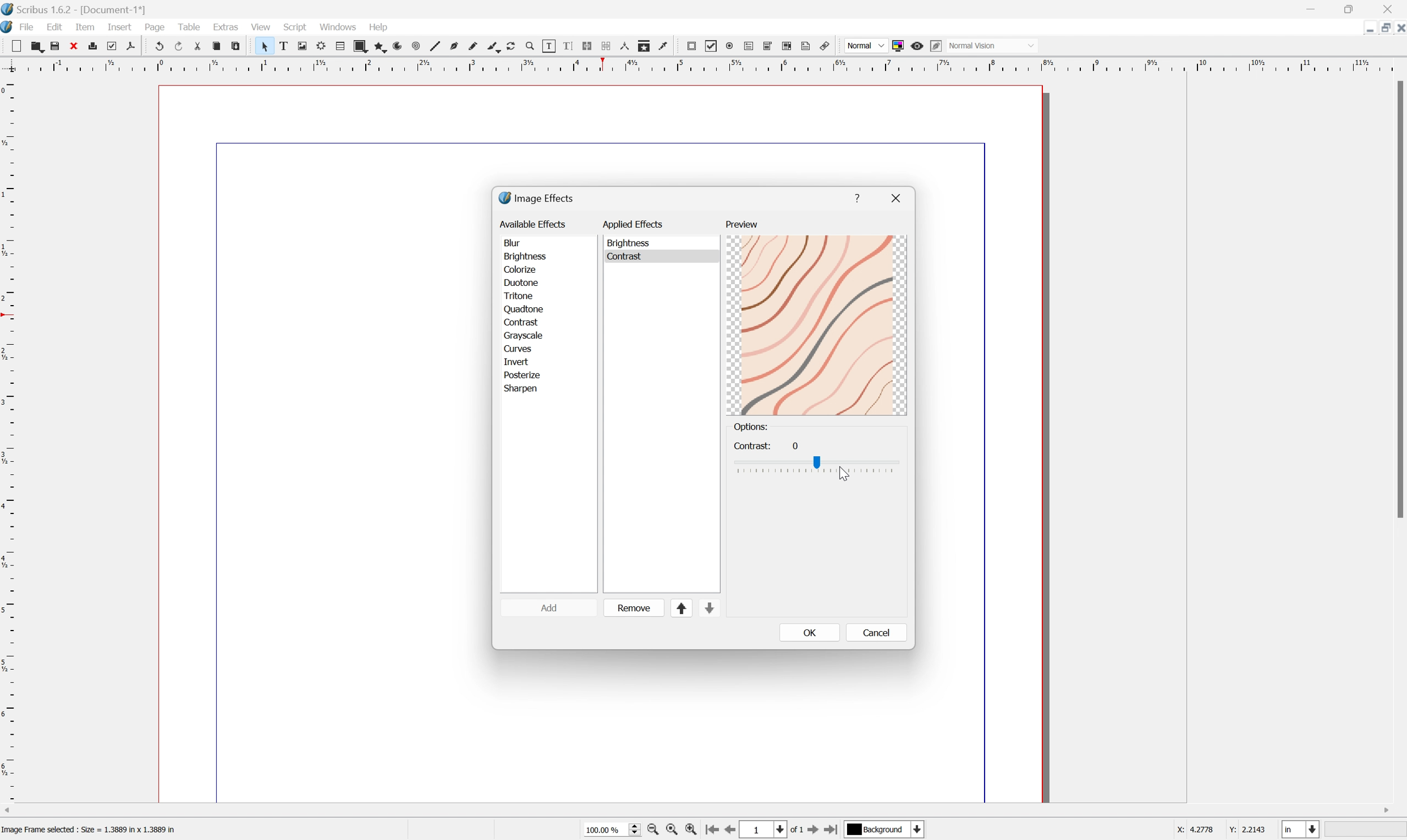 This screenshot has width=1407, height=840. Describe the element at coordinates (551, 47) in the screenshot. I see `Edit contents of frame` at that location.